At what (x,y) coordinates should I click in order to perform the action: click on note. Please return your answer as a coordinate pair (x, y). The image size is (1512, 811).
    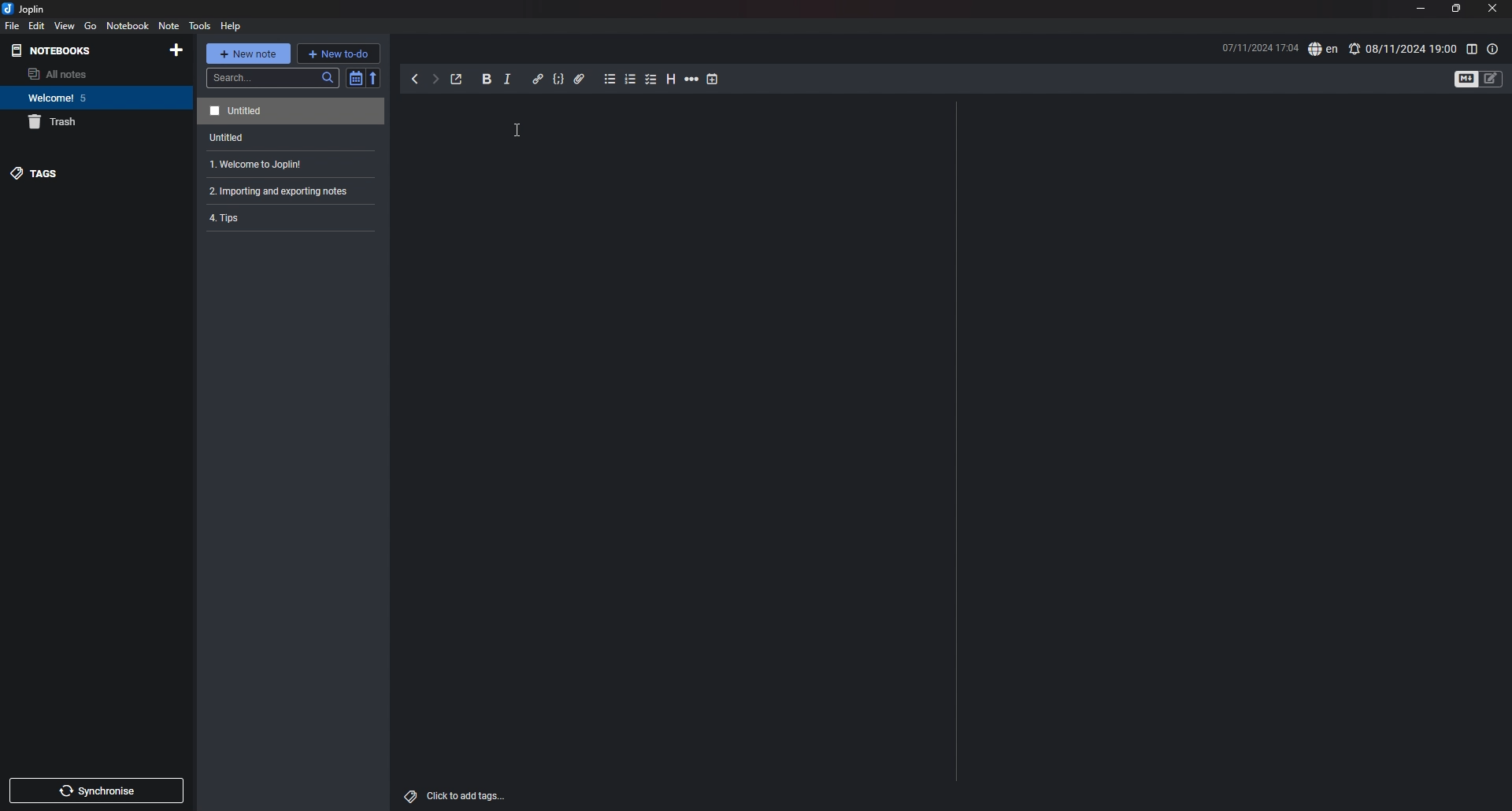
    Looking at the image, I should click on (292, 137).